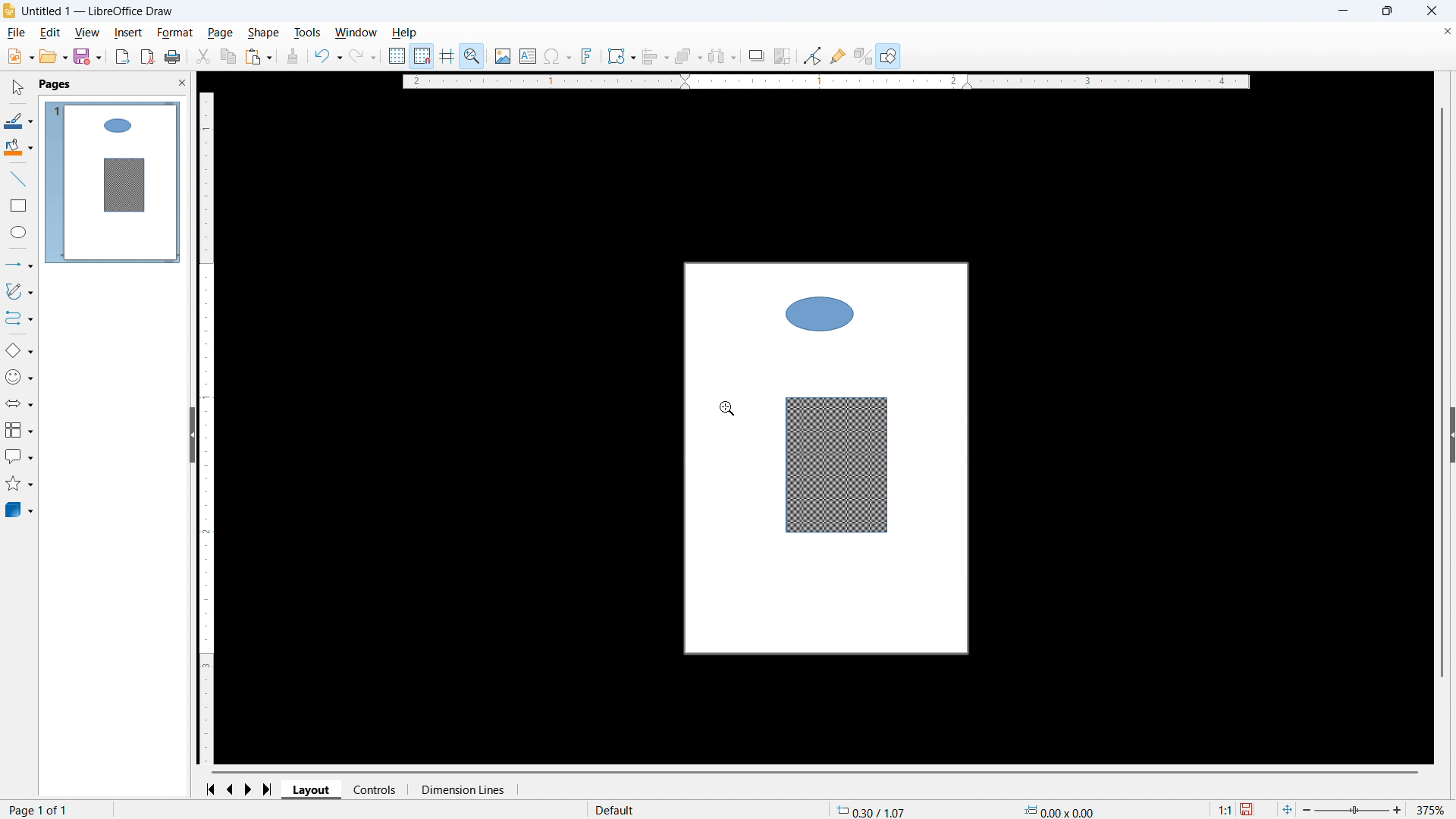 This screenshot has width=1456, height=819. I want to click on shape , so click(264, 33).